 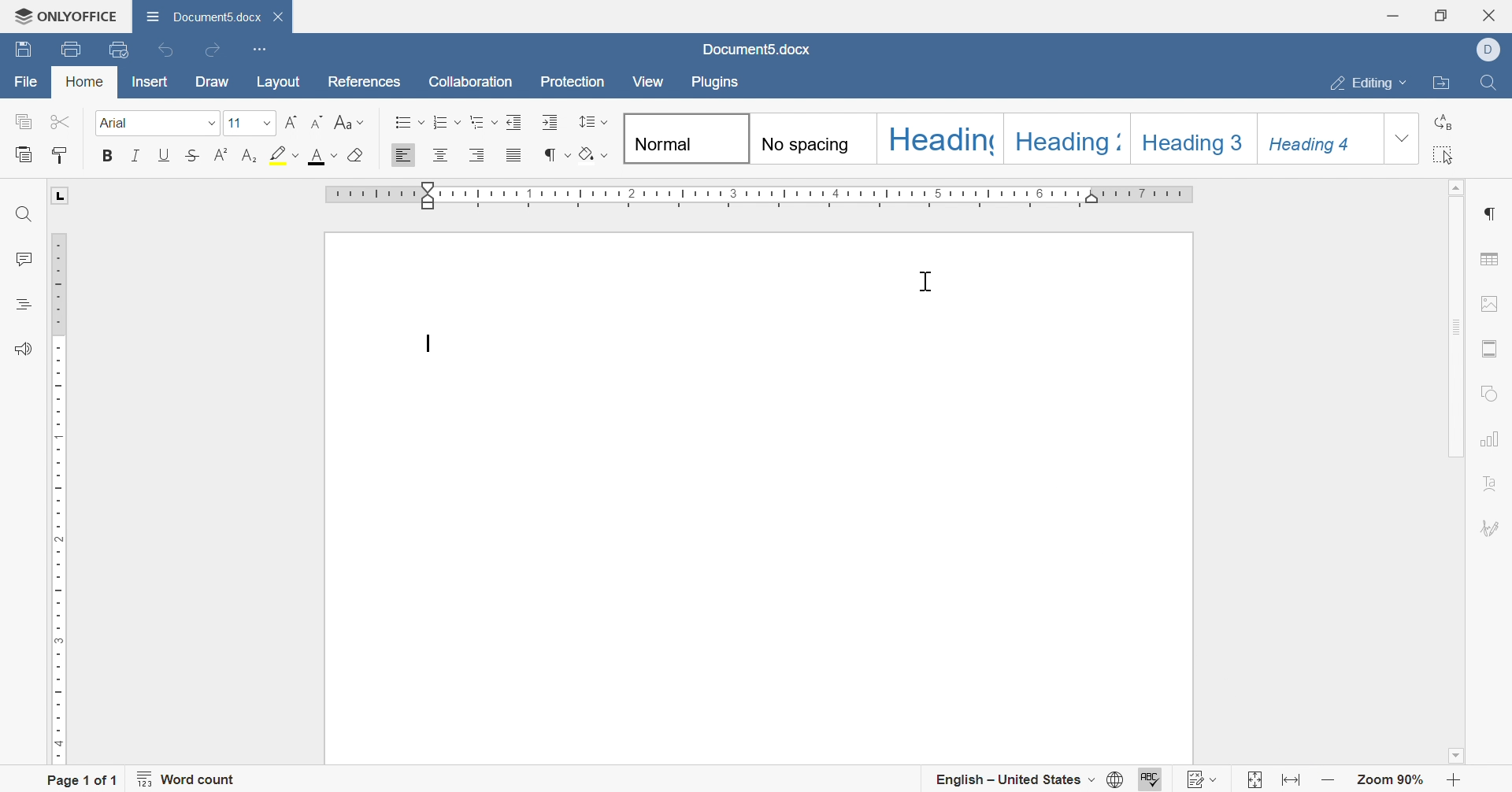 What do you see at coordinates (1439, 81) in the screenshot?
I see `open file location` at bounding box center [1439, 81].